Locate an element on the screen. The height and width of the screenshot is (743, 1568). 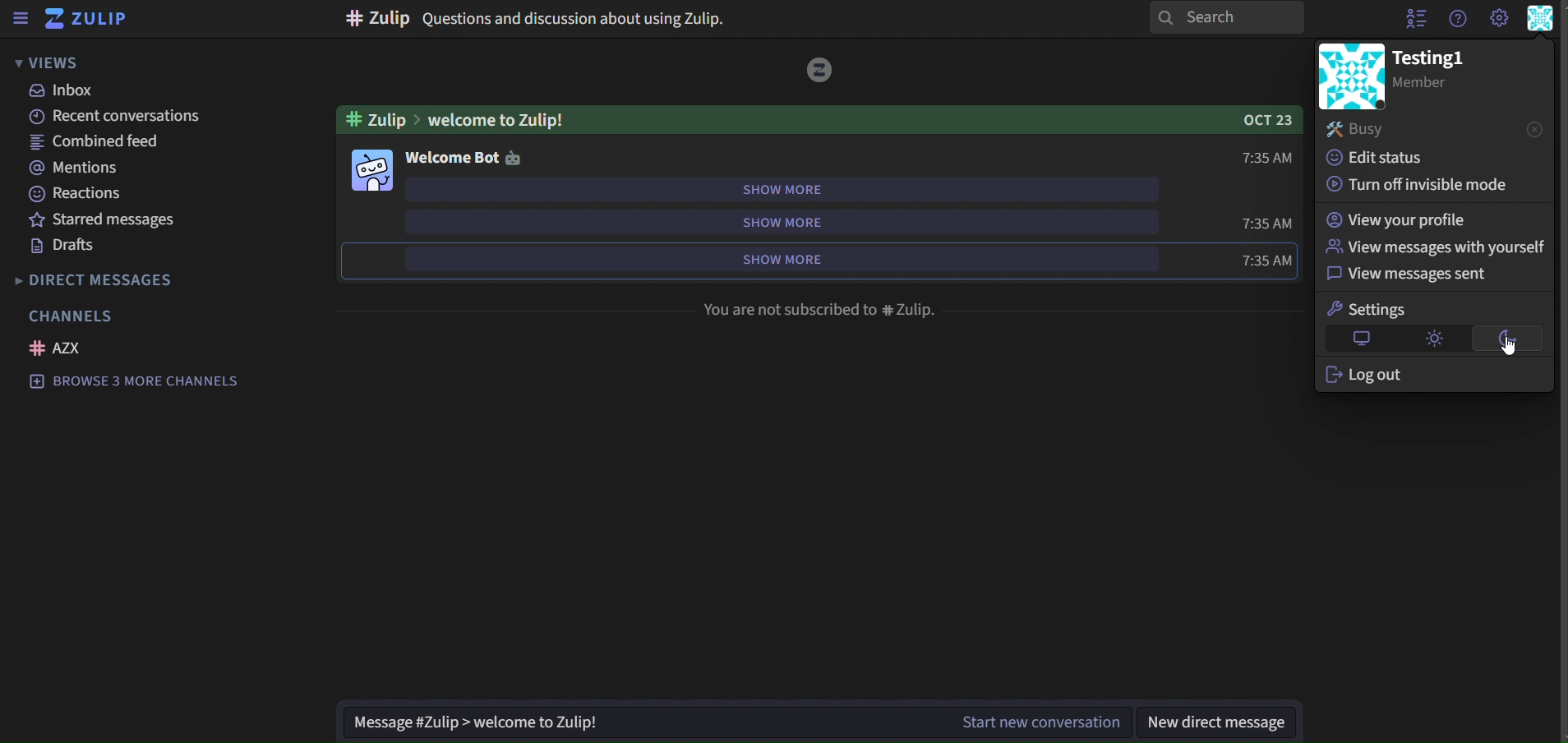
Member is located at coordinates (1434, 83).